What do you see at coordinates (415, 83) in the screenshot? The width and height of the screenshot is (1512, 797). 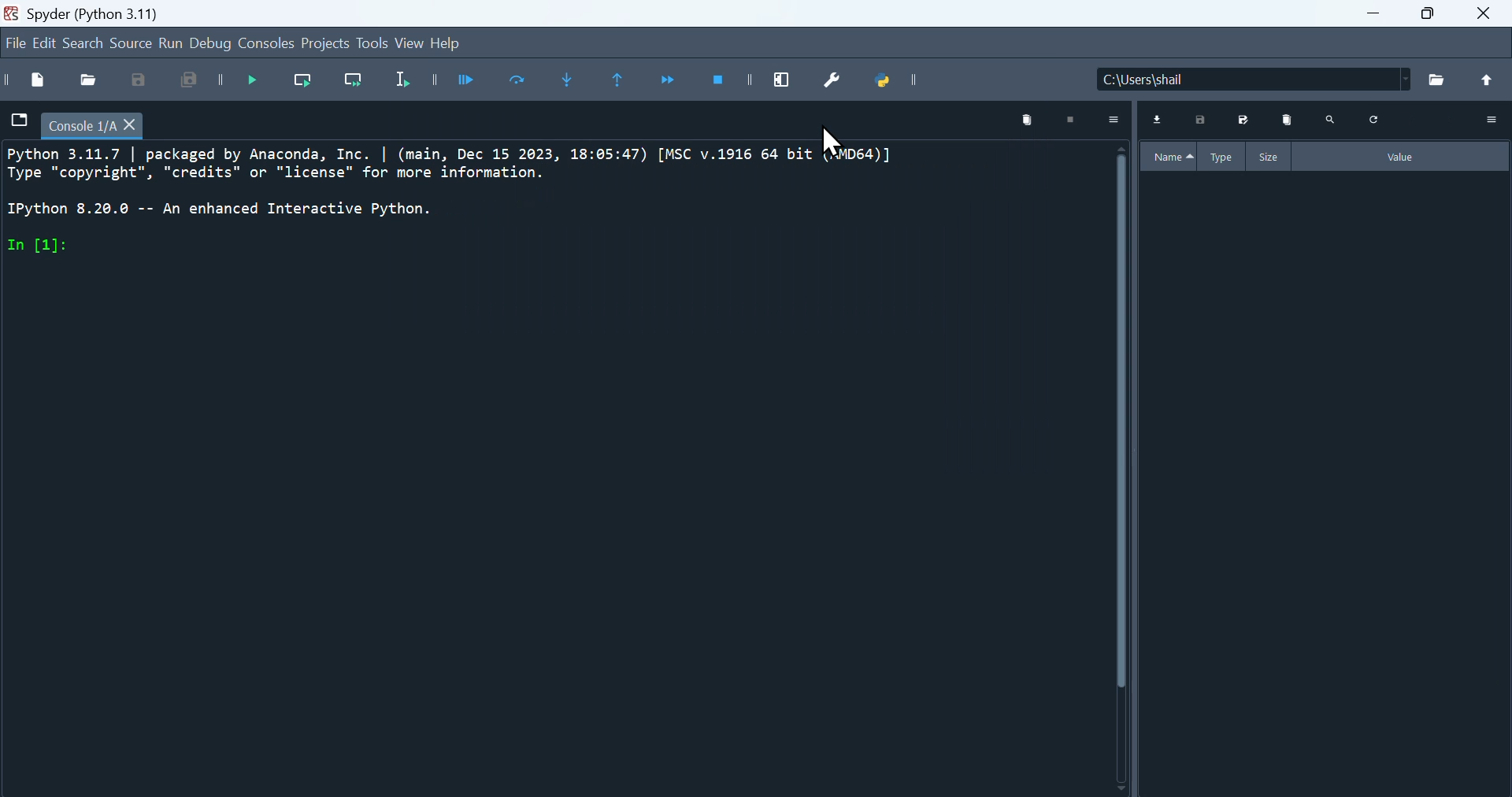 I see `Run selection` at bounding box center [415, 83].